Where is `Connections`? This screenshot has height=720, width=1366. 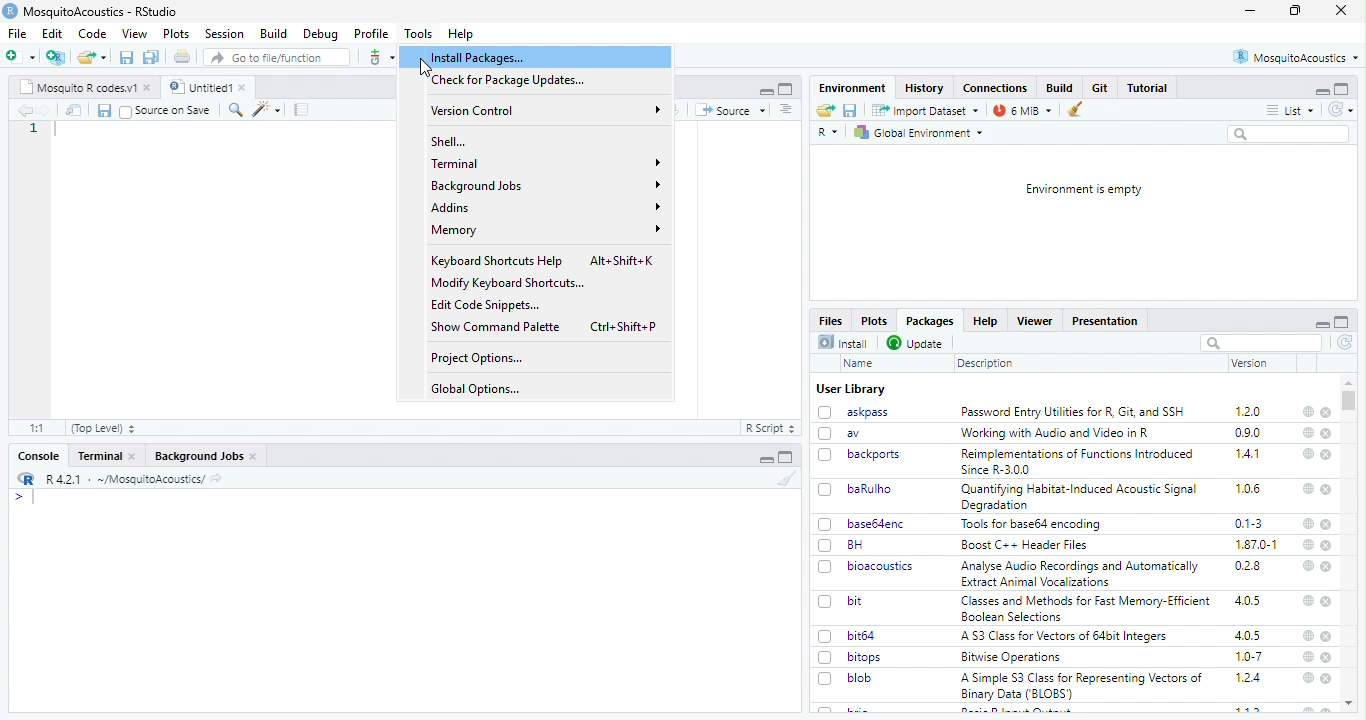
Connections is located at coordinates (997, 88).